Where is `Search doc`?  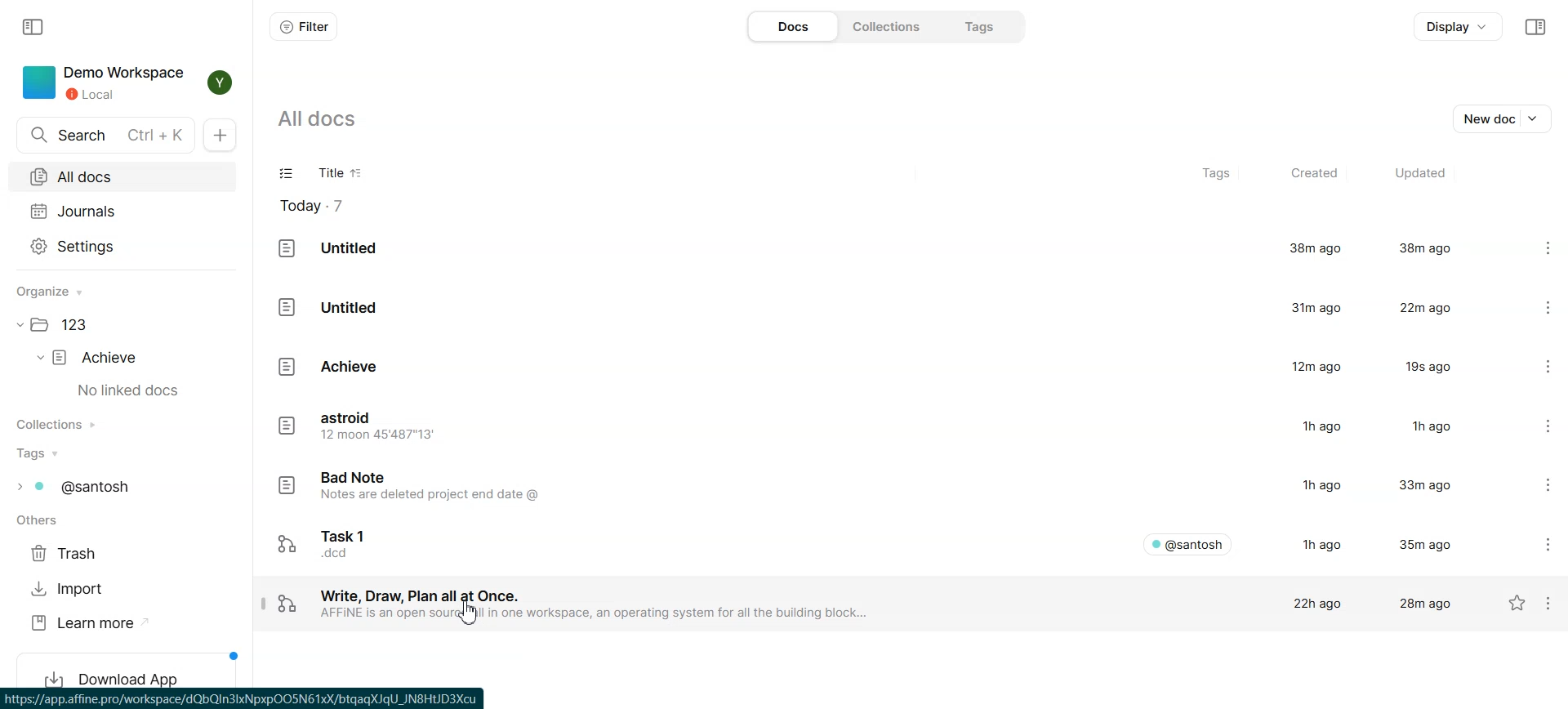 Search doc is located at coordinates (106, 136).